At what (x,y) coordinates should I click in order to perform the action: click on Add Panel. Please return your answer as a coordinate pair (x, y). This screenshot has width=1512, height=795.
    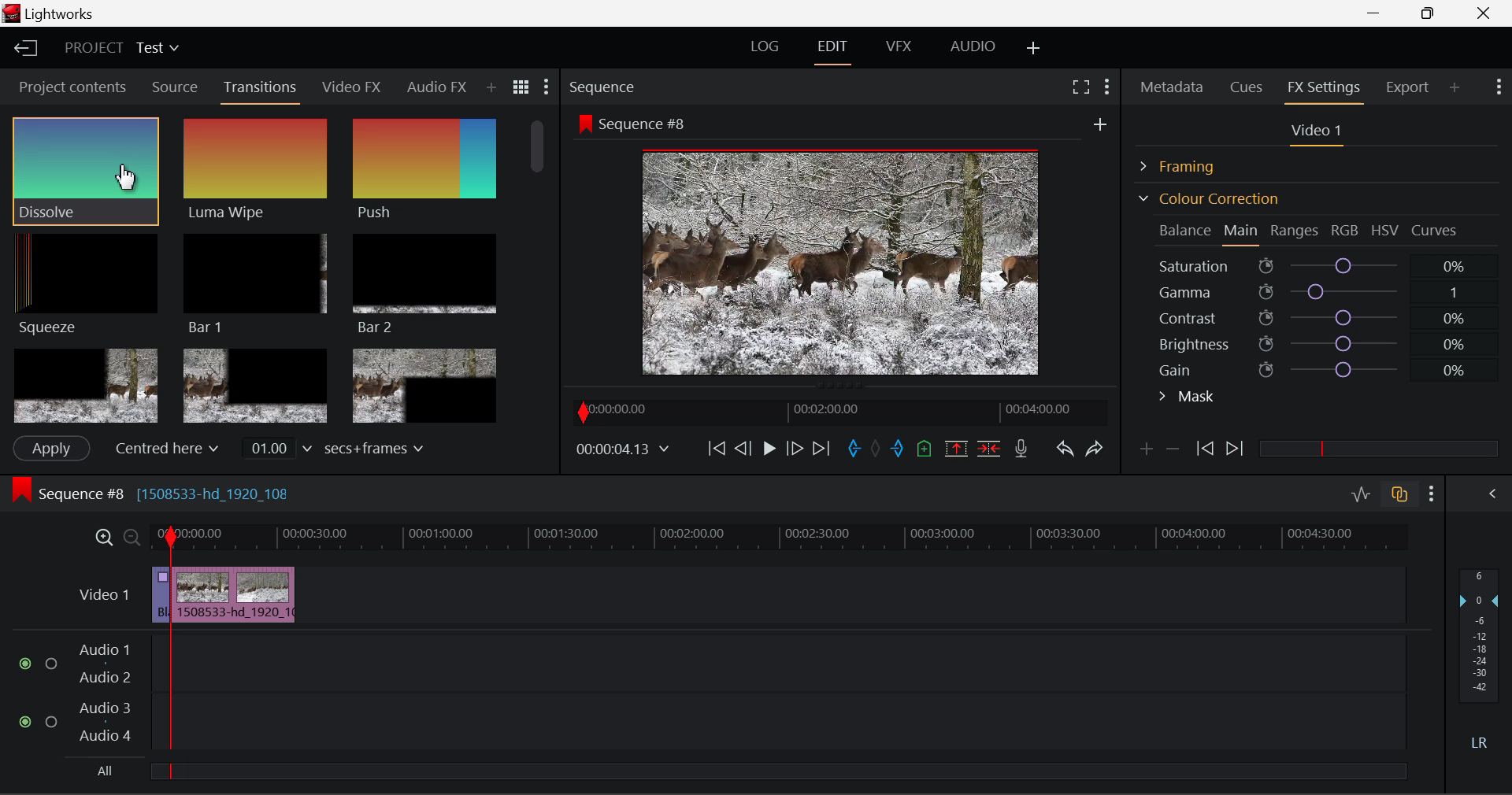
    Looking at the image, I should click on (1455, 87).